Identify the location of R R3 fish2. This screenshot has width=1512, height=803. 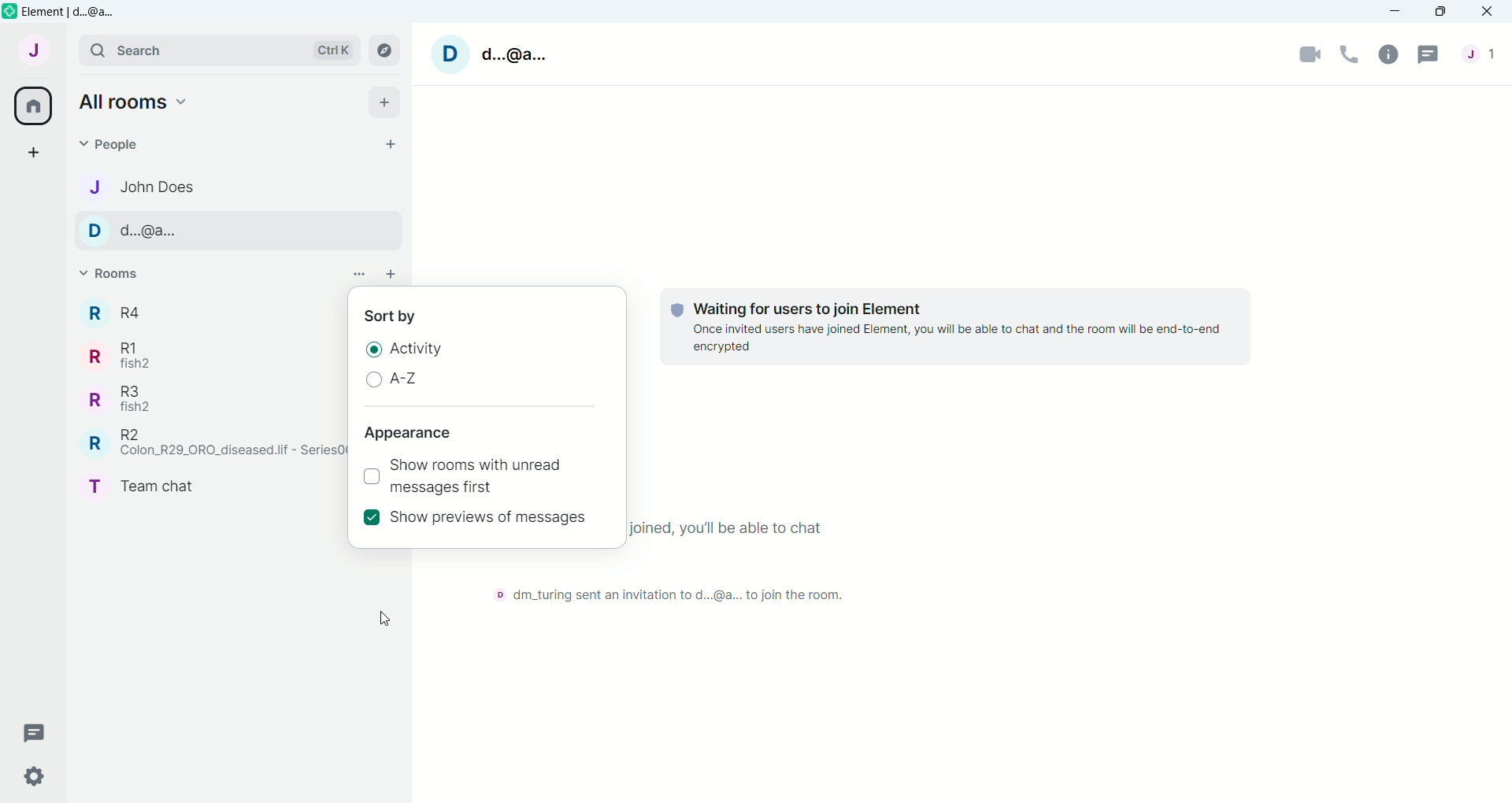
(127, 399).